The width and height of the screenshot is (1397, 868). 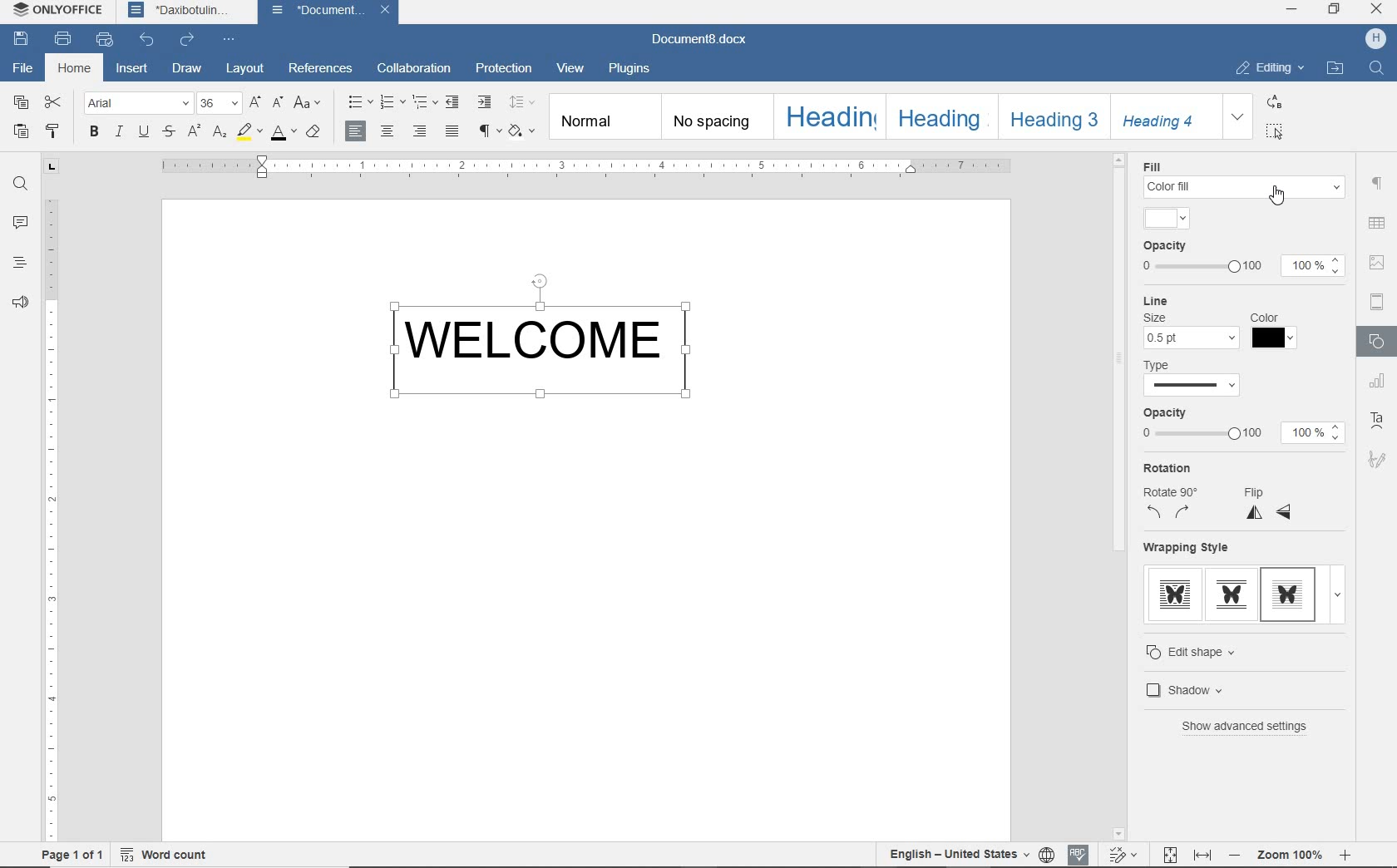 What do you see at coordinates (631, 70) in the screenshot?
I see `PLUGINS` at bounding box center [631, 70].